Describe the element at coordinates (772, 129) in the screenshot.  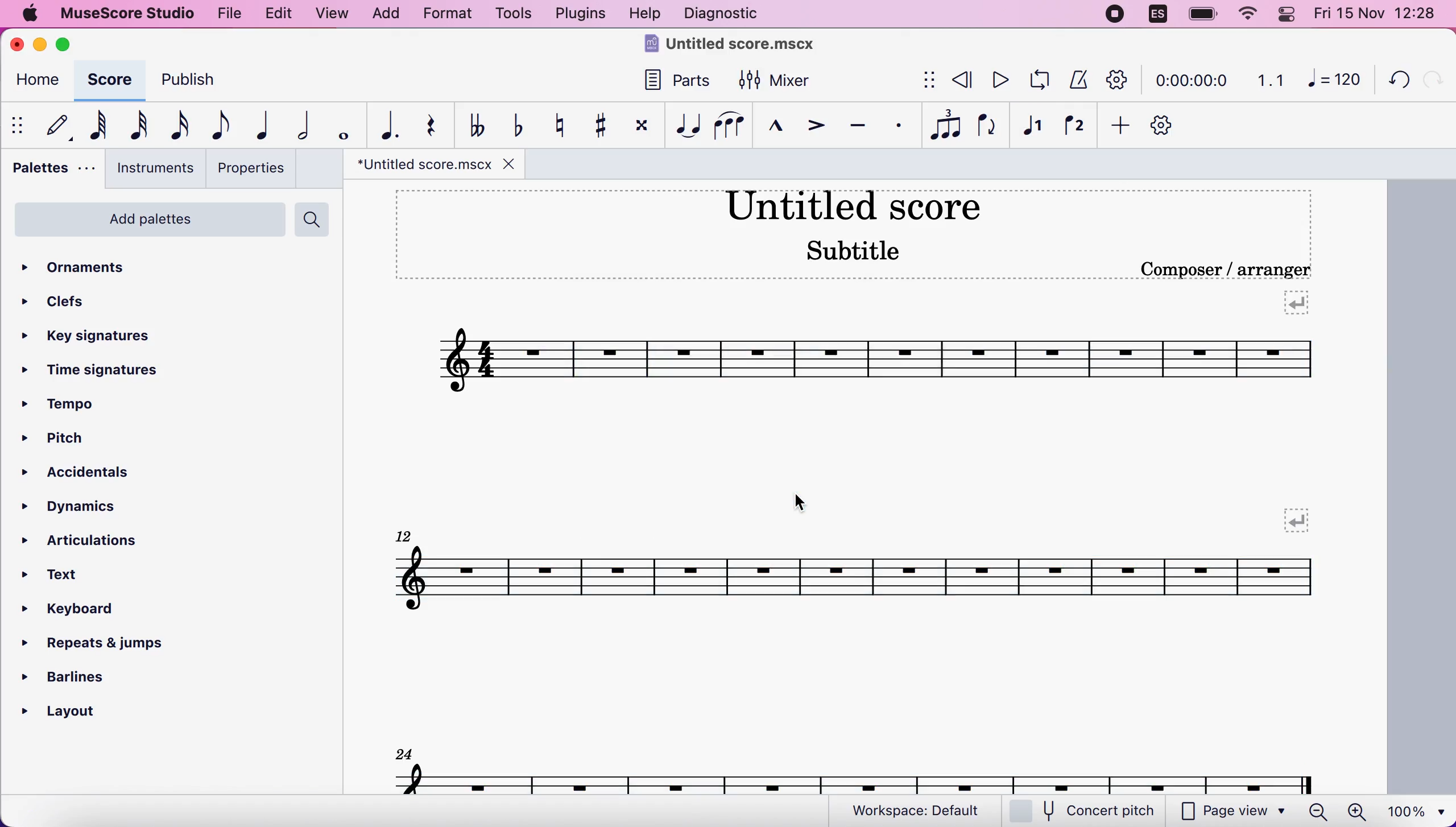
I see `marcatto` at that location.